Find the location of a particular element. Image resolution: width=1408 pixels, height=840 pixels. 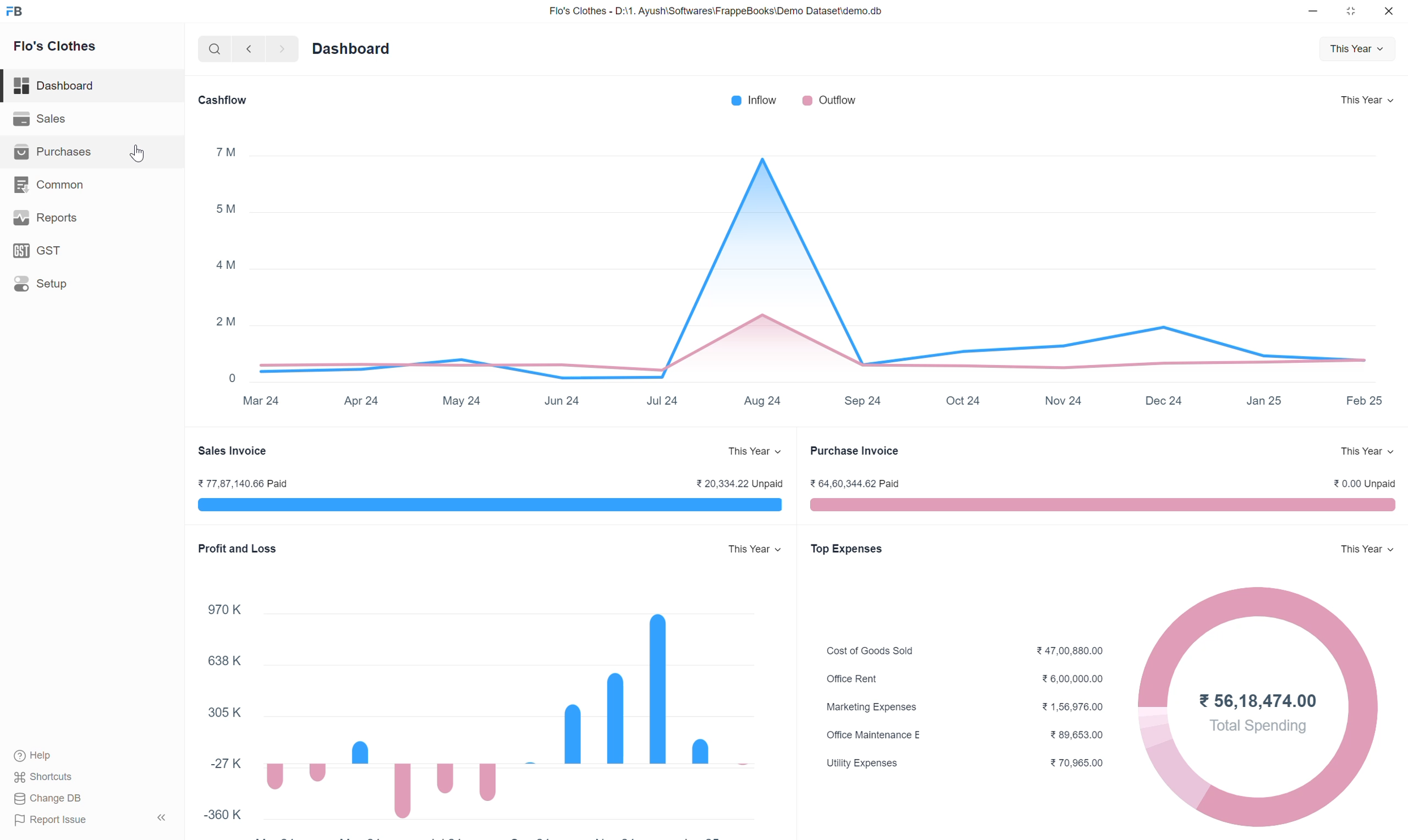

Report issue is located at coordinates (55, 820).